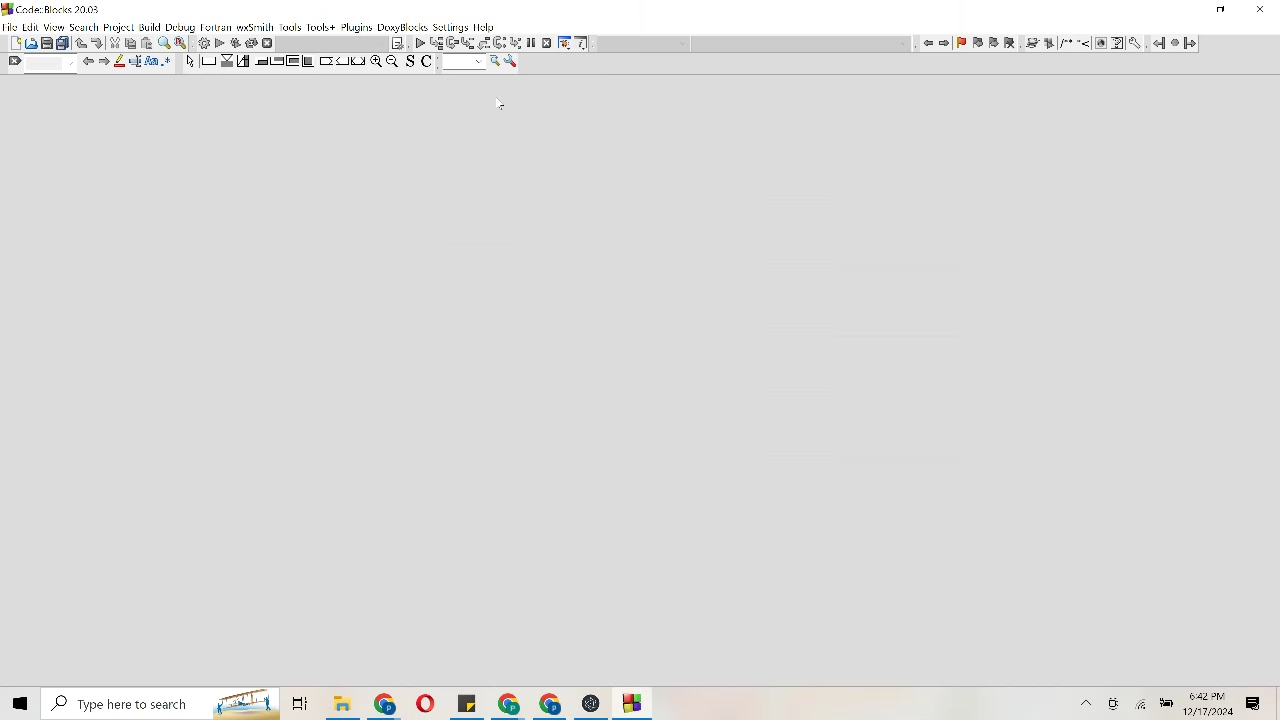 This screenshot has width=1280, height=720. I want to click on Settings, so click(202, 43).